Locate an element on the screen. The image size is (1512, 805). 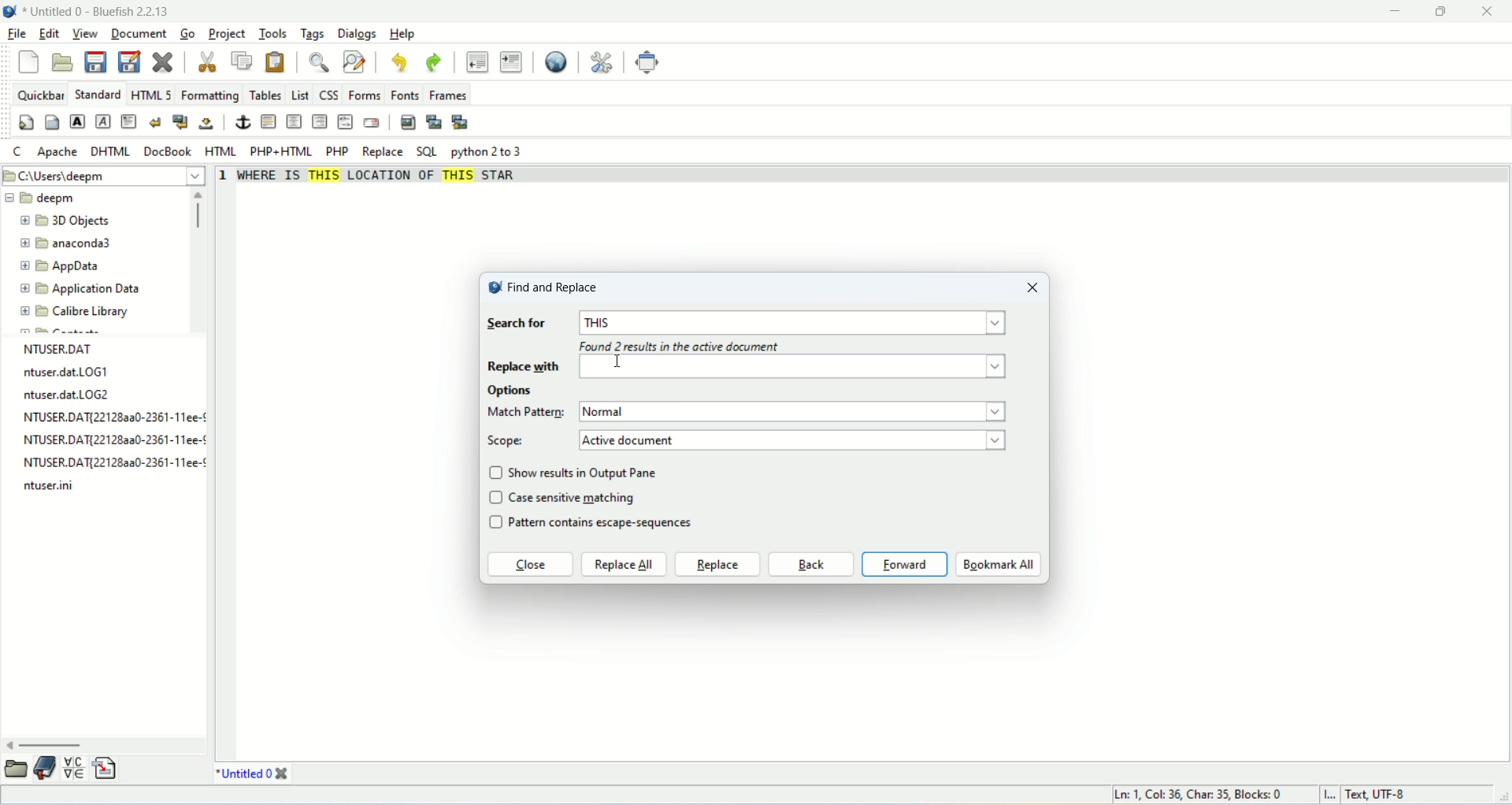
logo is located at coordinates (494, 290).